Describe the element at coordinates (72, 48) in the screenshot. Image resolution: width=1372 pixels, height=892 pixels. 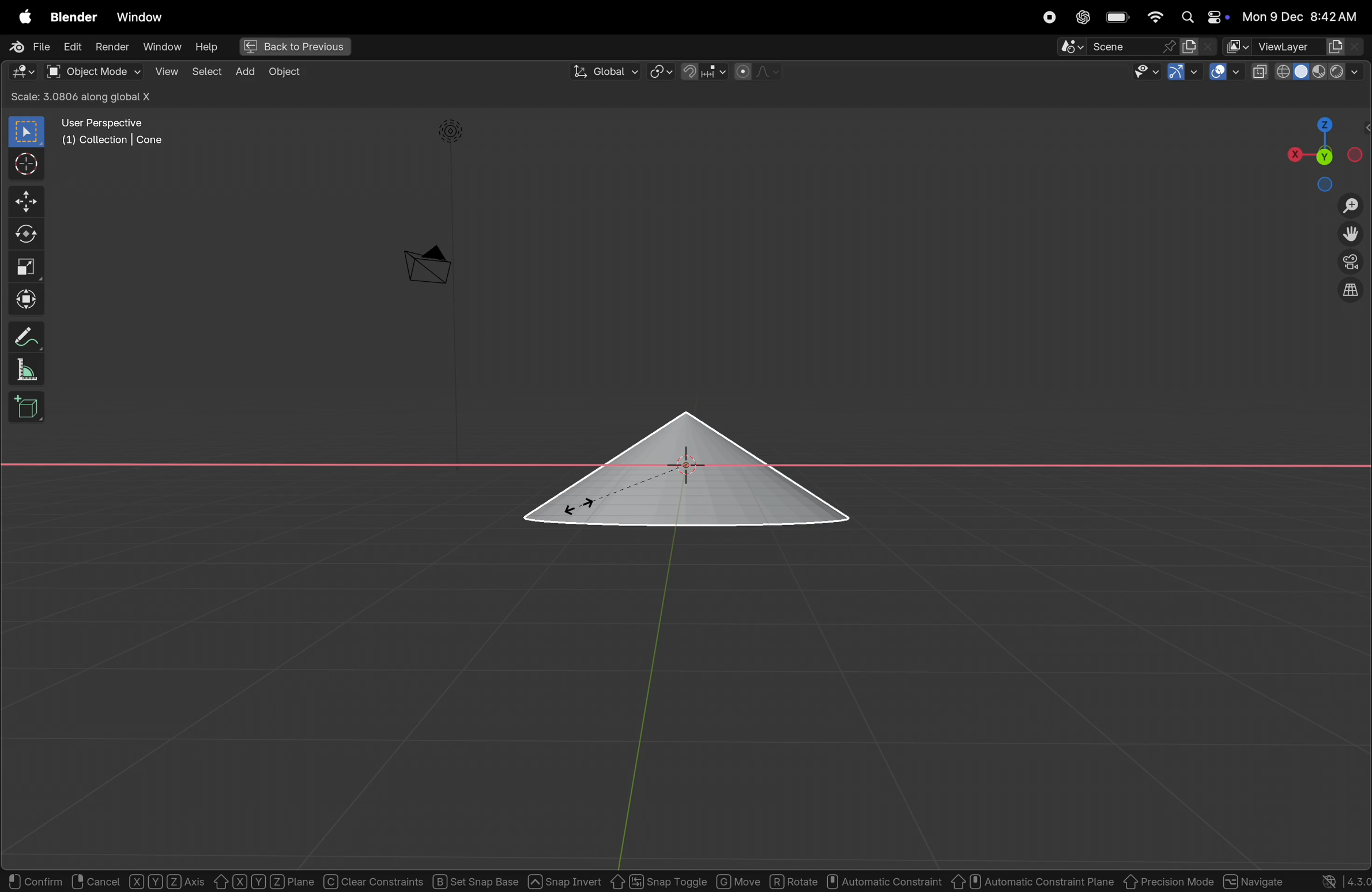
I see `Edit` at that location.